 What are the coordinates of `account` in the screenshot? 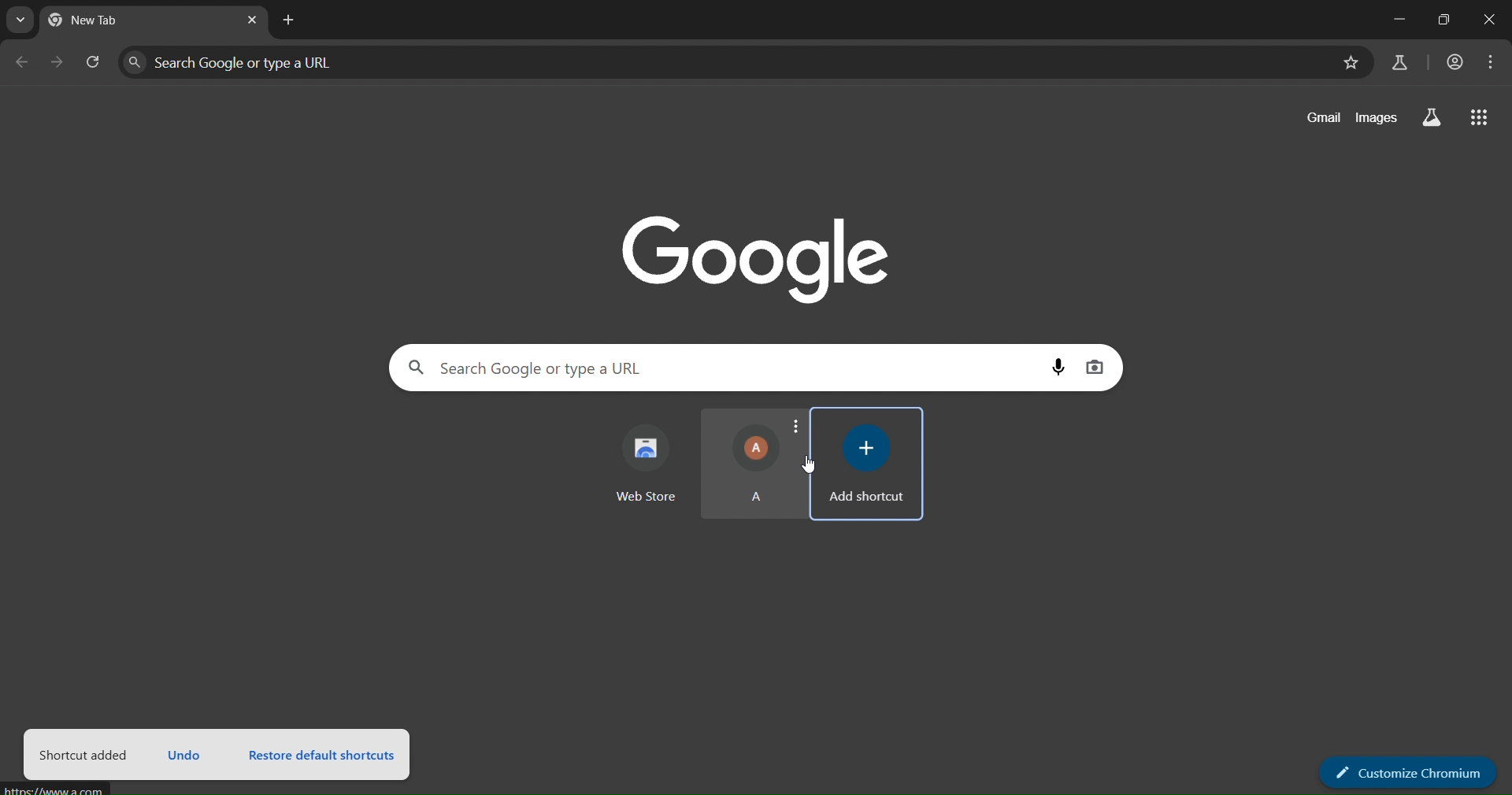 It's located at (1454, 63).